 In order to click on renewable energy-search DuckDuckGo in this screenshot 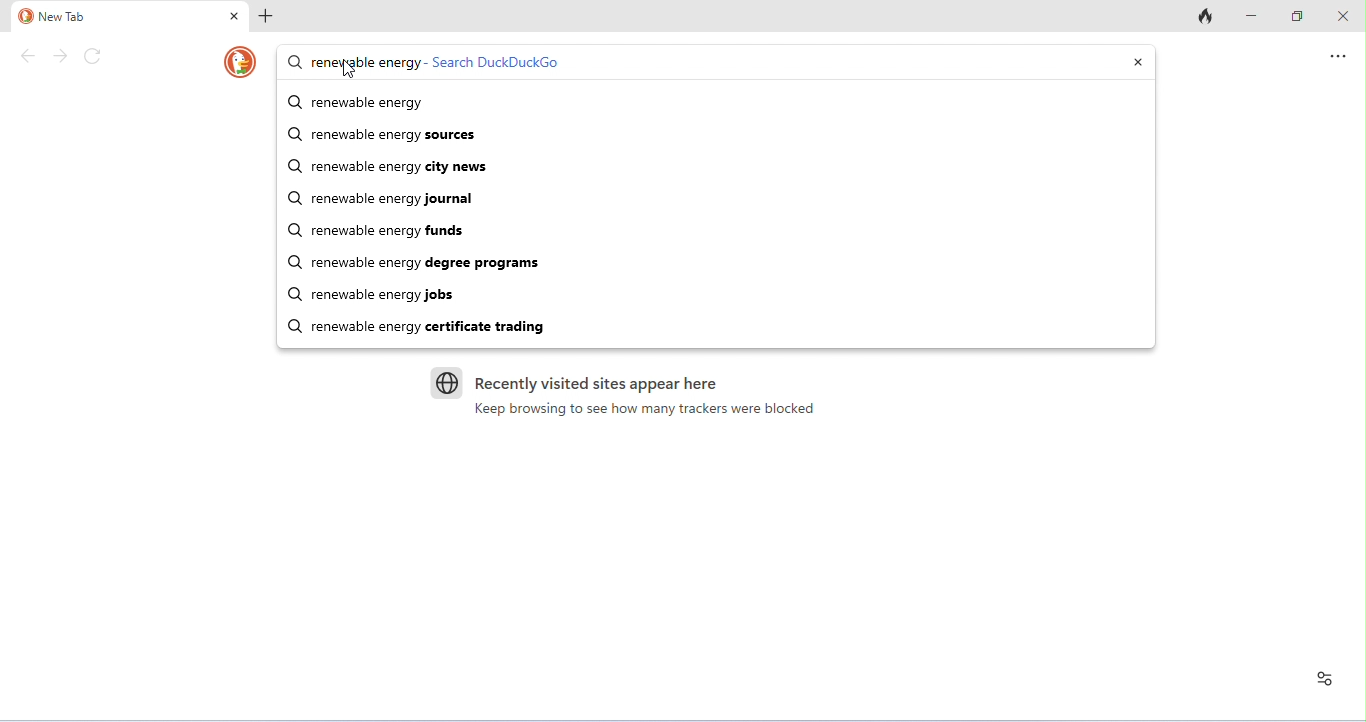, I will do `click(680, 61)`.